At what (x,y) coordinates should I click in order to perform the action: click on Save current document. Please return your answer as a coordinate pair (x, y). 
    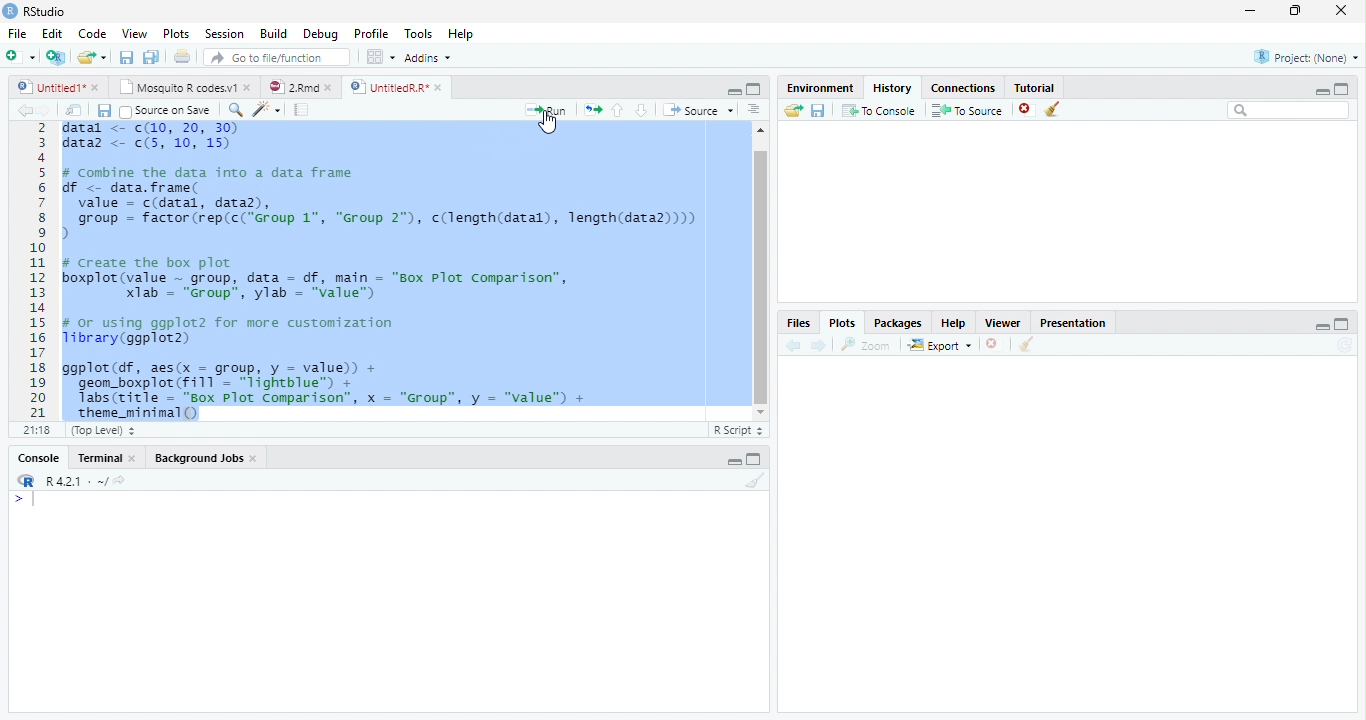
    Looking at the image, I should click on (126, 56).